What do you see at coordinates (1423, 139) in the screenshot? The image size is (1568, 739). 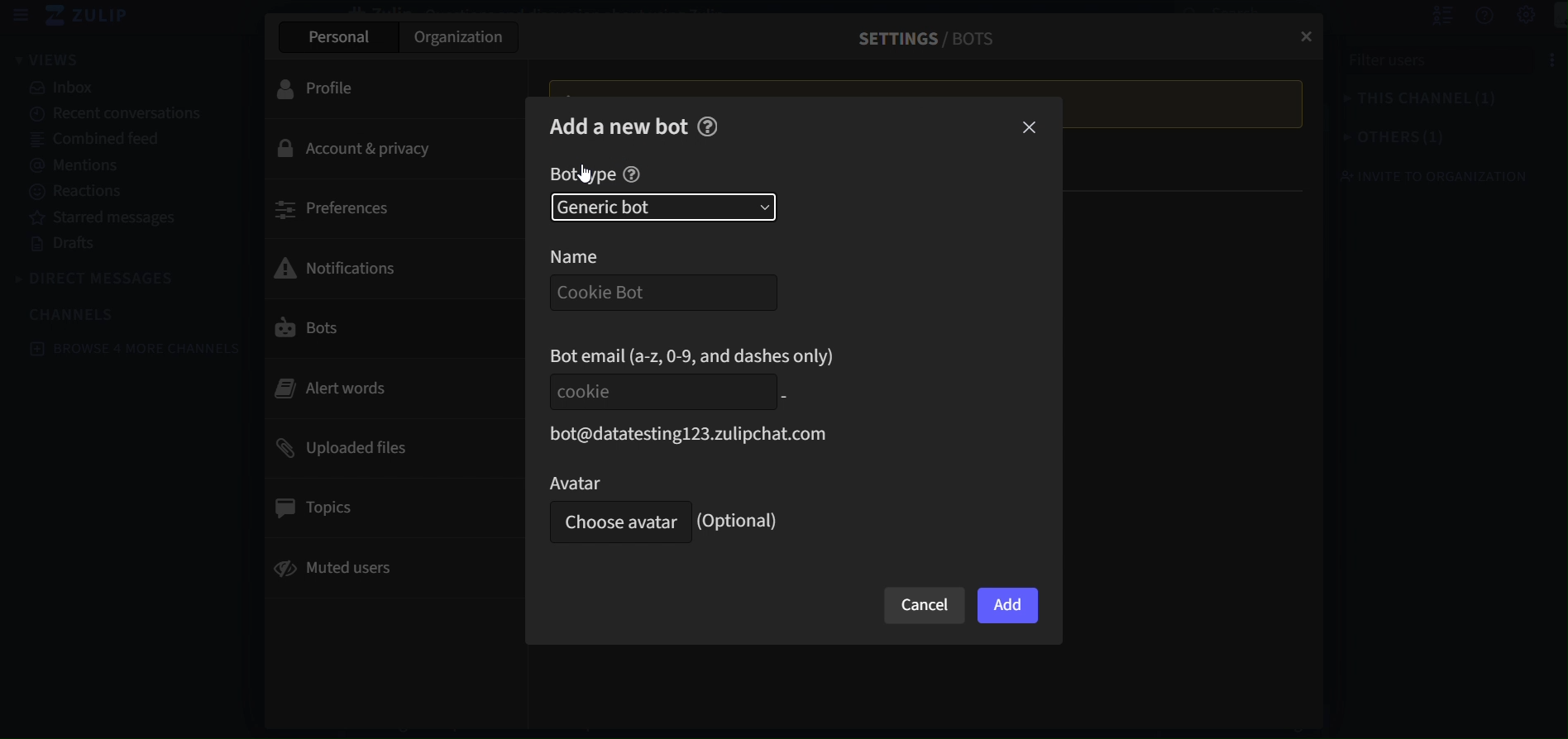 I see `others(1)` at bounding box center [1423, 139].